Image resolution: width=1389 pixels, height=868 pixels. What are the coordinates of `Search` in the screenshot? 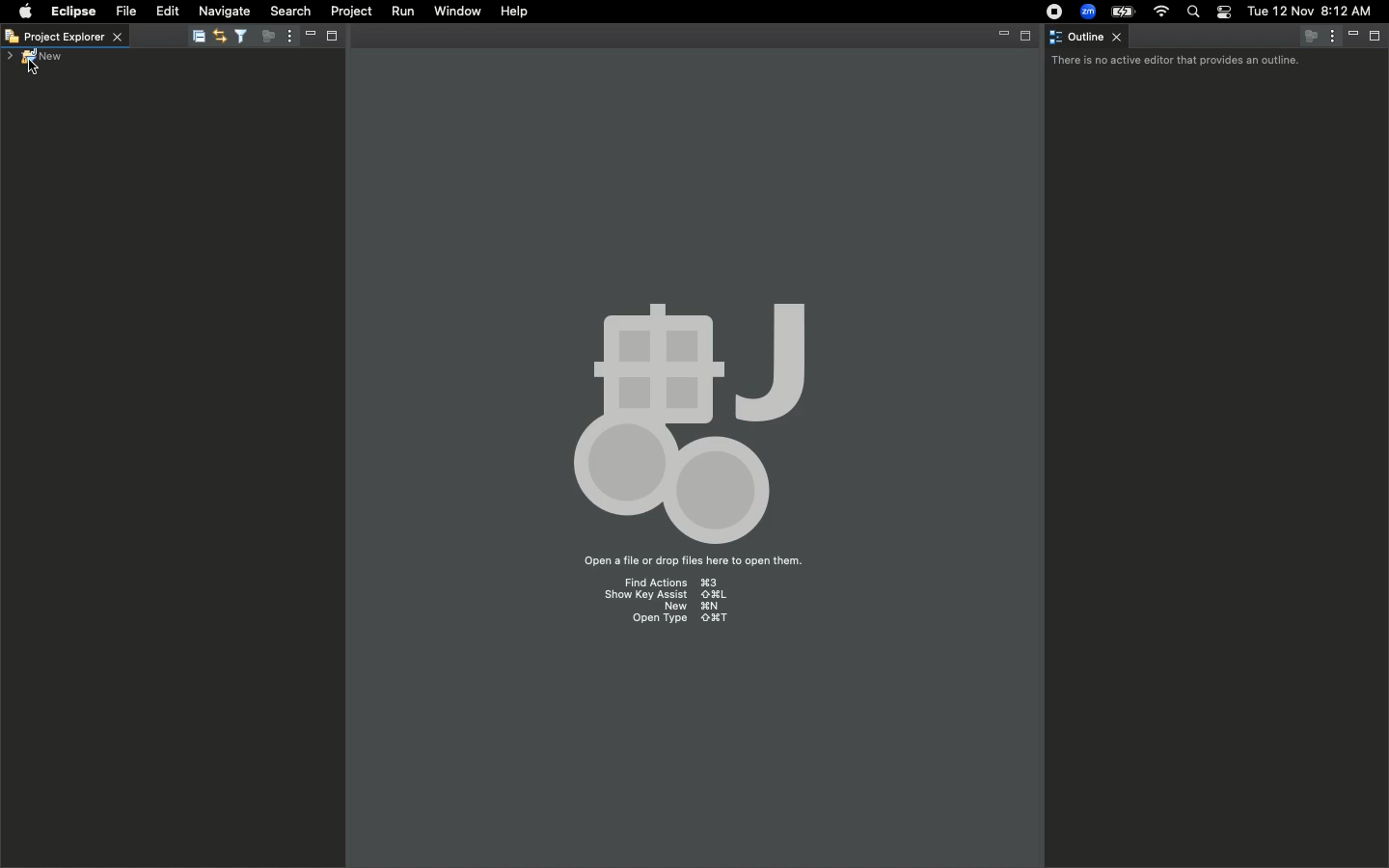 It's located at (1195, 13).